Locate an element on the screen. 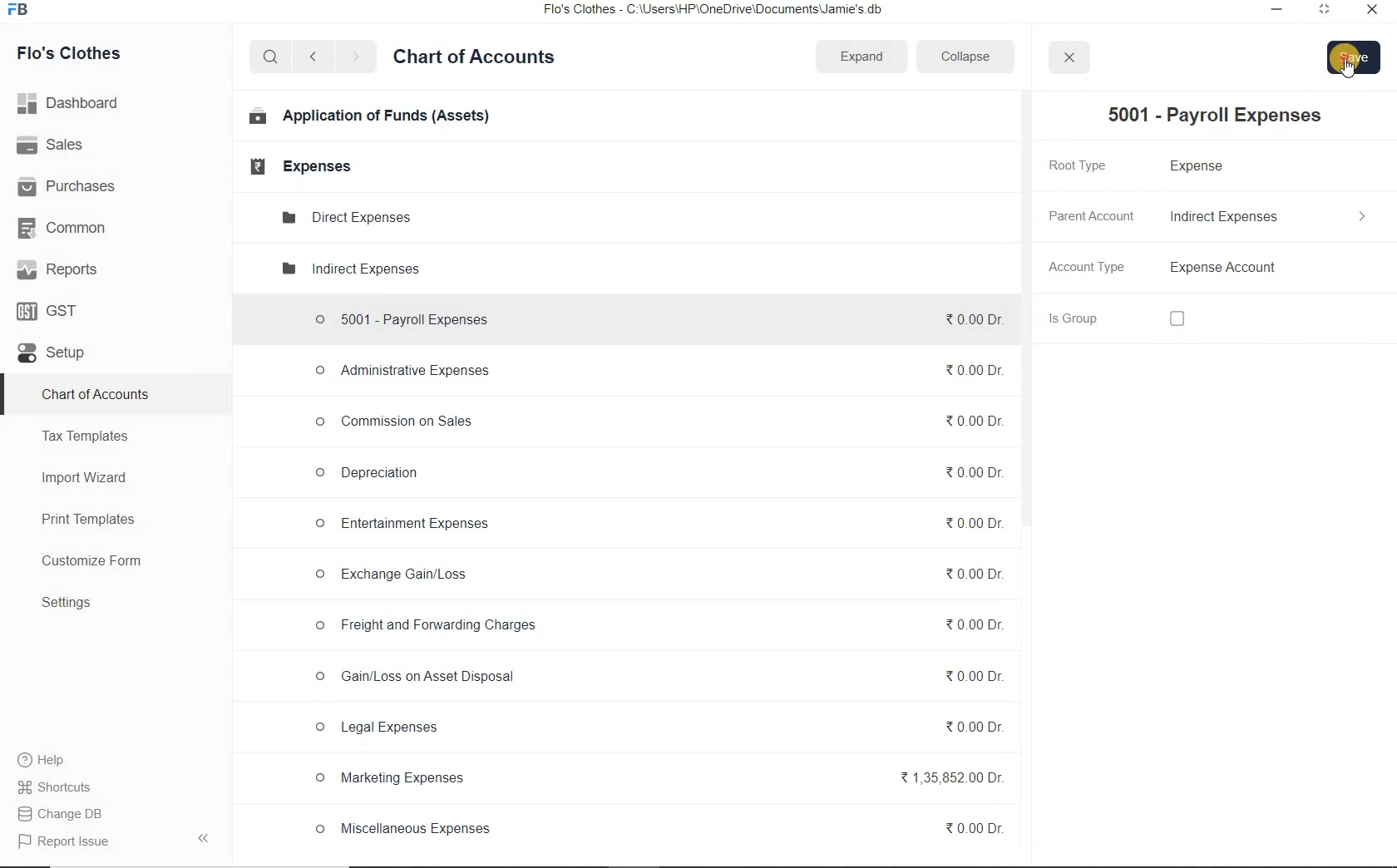  5001 - Payroll Expenses 0.00 Dr is located at coordinates (653, 316).